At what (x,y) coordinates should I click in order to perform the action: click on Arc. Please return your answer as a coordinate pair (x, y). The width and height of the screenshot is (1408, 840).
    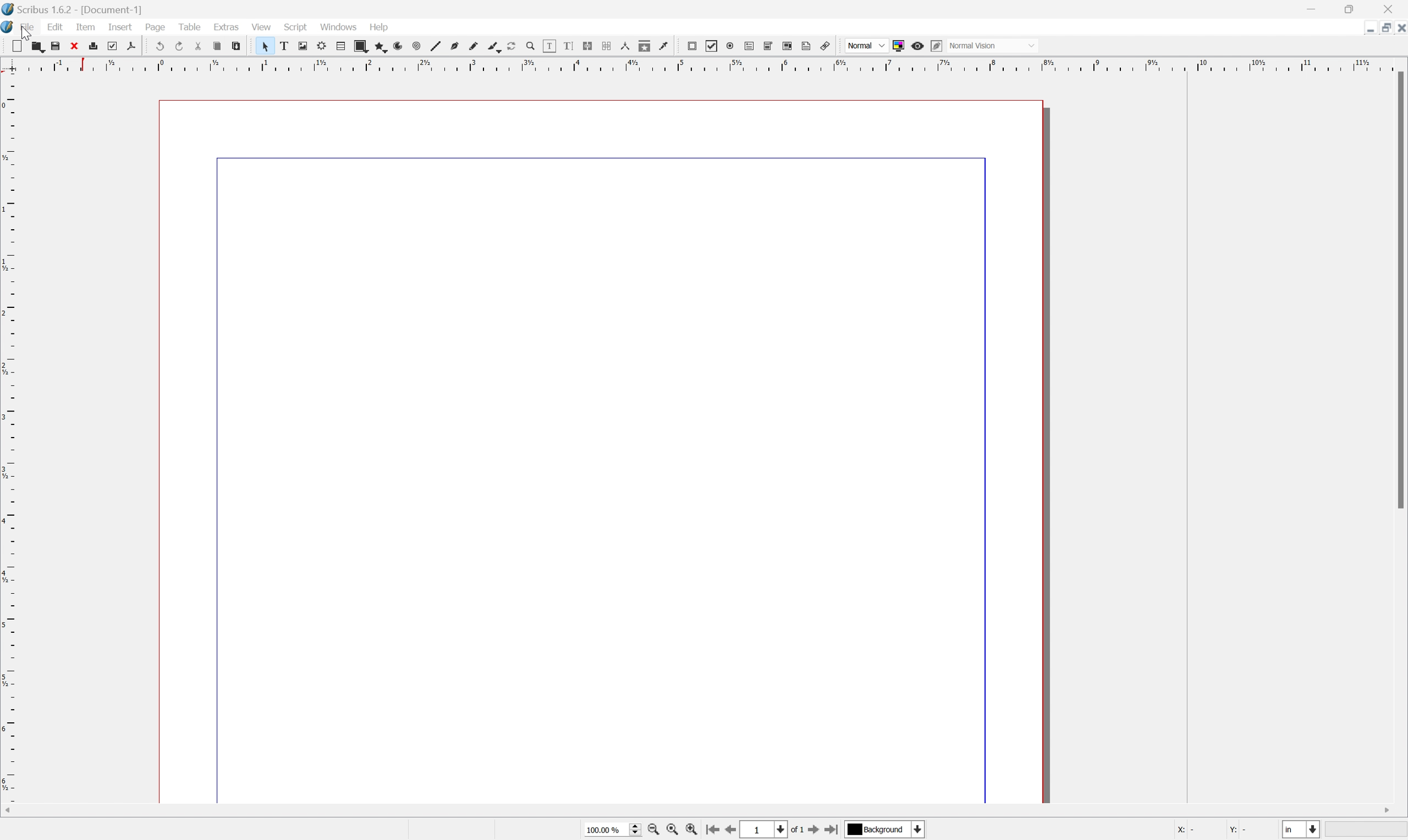
    Looking at the image, I should click on (396, 46).